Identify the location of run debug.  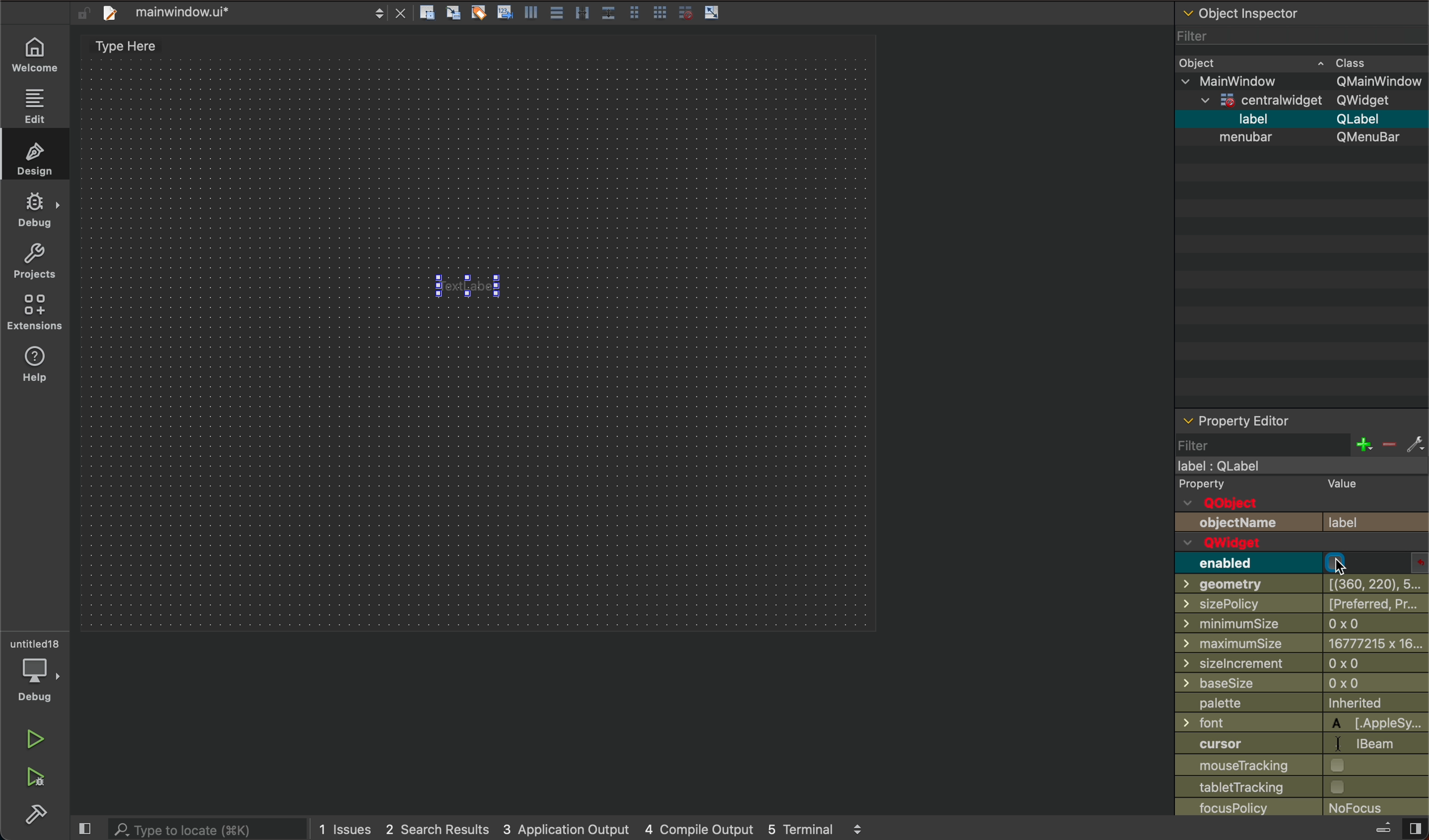
(37, 775).